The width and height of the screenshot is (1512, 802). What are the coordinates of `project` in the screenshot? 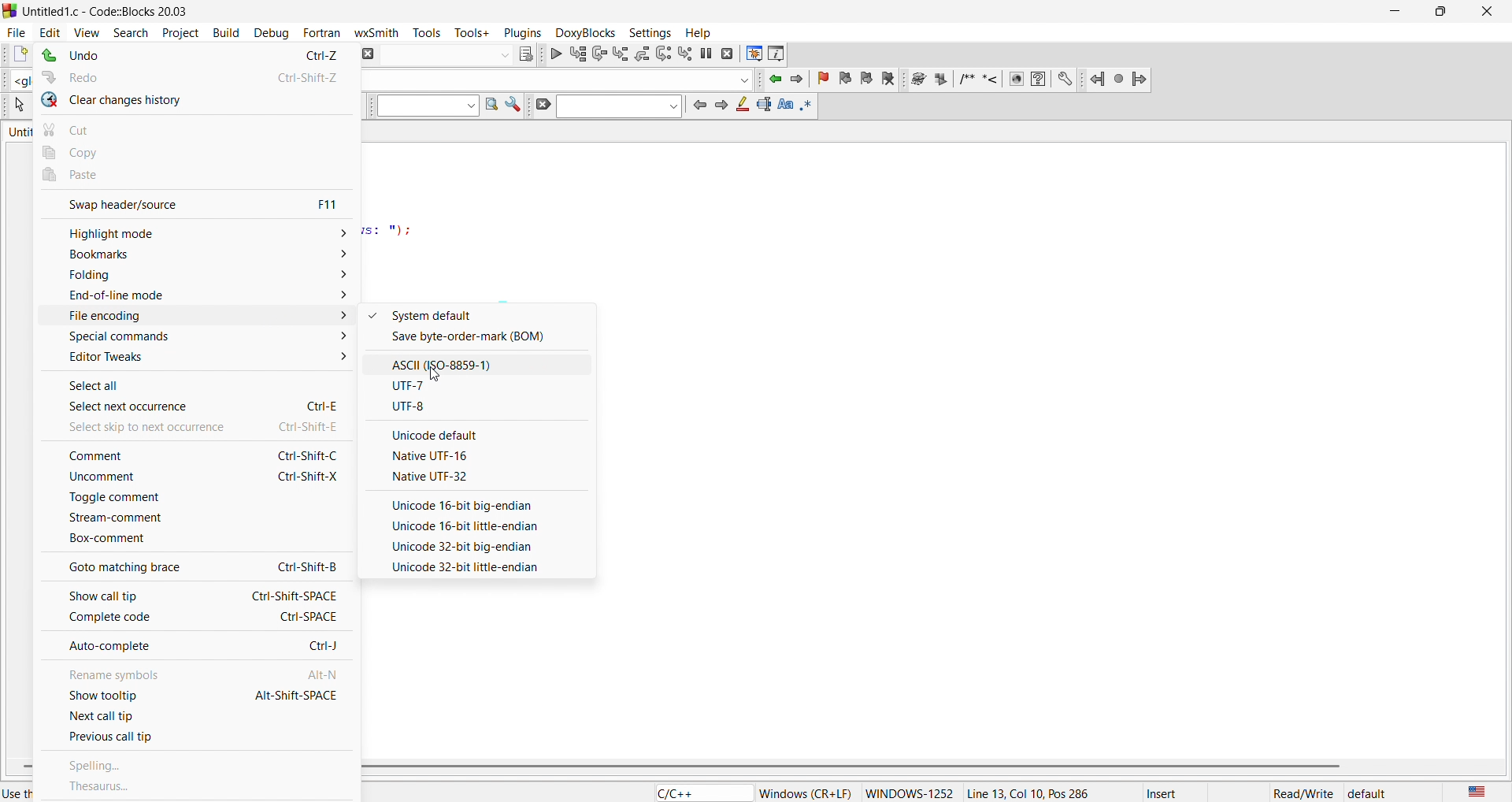 It's located at (175, 32).